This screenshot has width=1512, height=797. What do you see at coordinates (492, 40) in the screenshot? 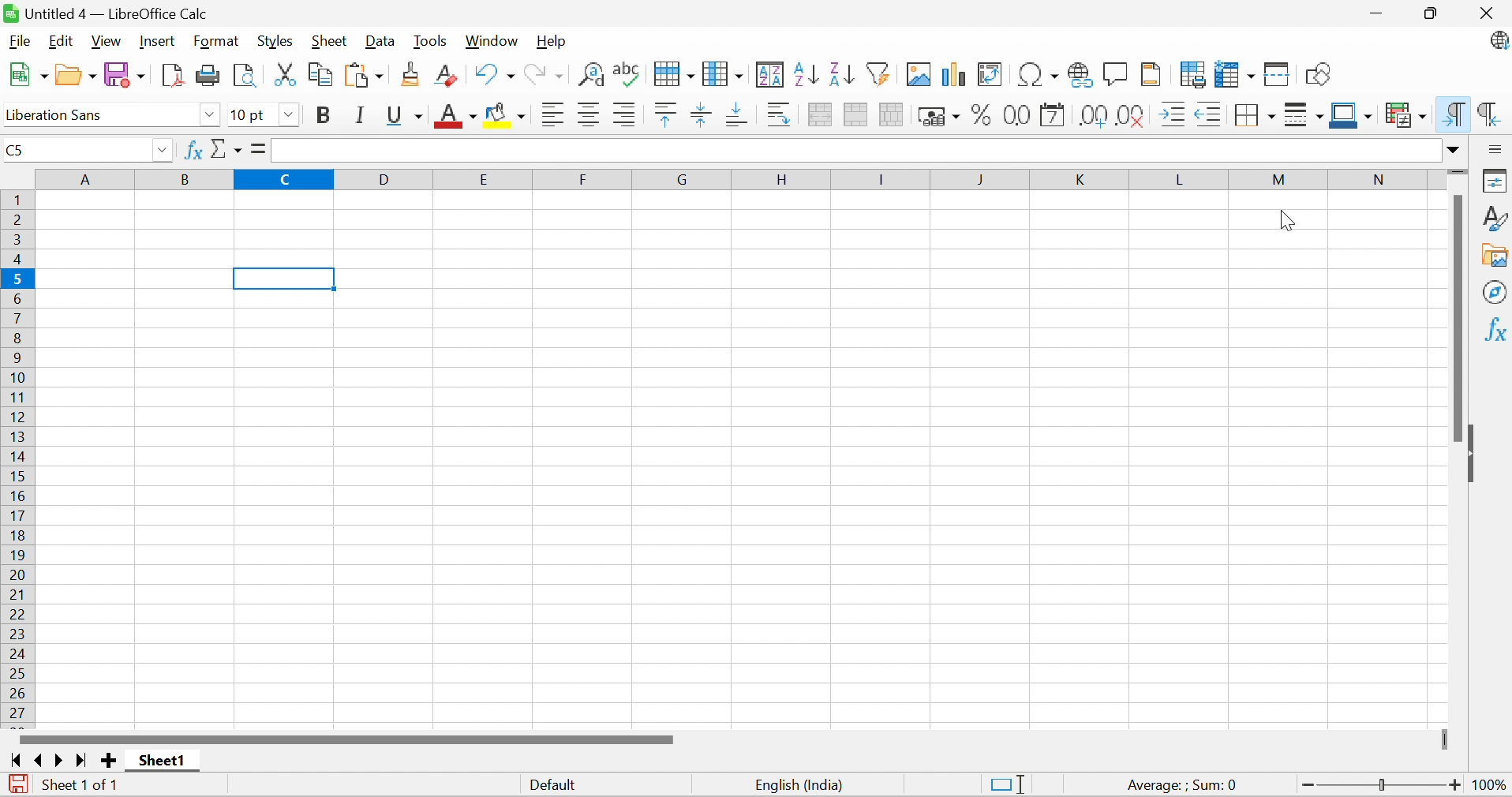
I see `Window` at bounding box center [492, 40].